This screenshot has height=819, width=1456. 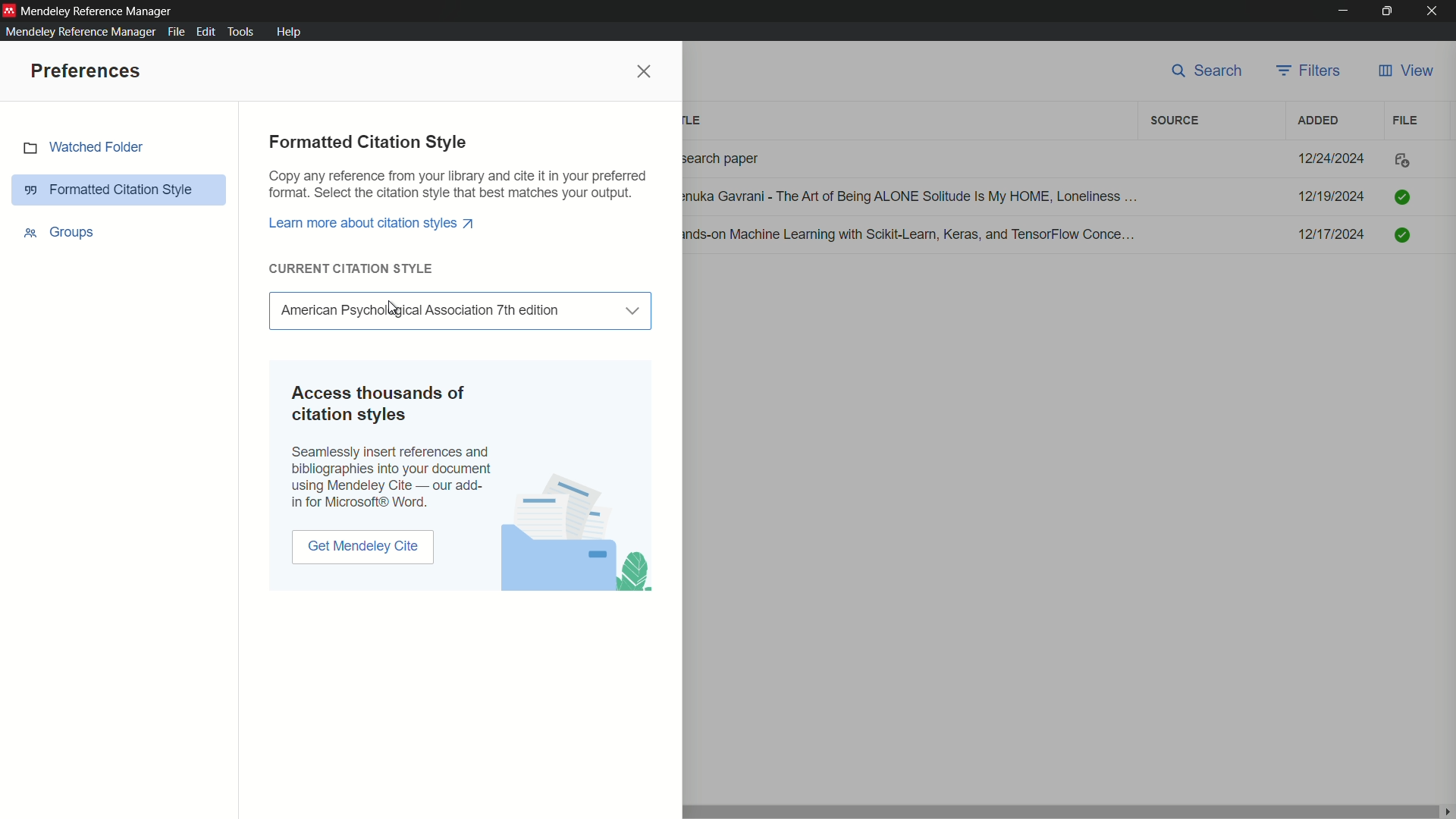 I want to click on file menu, so click(x=174, y=32).